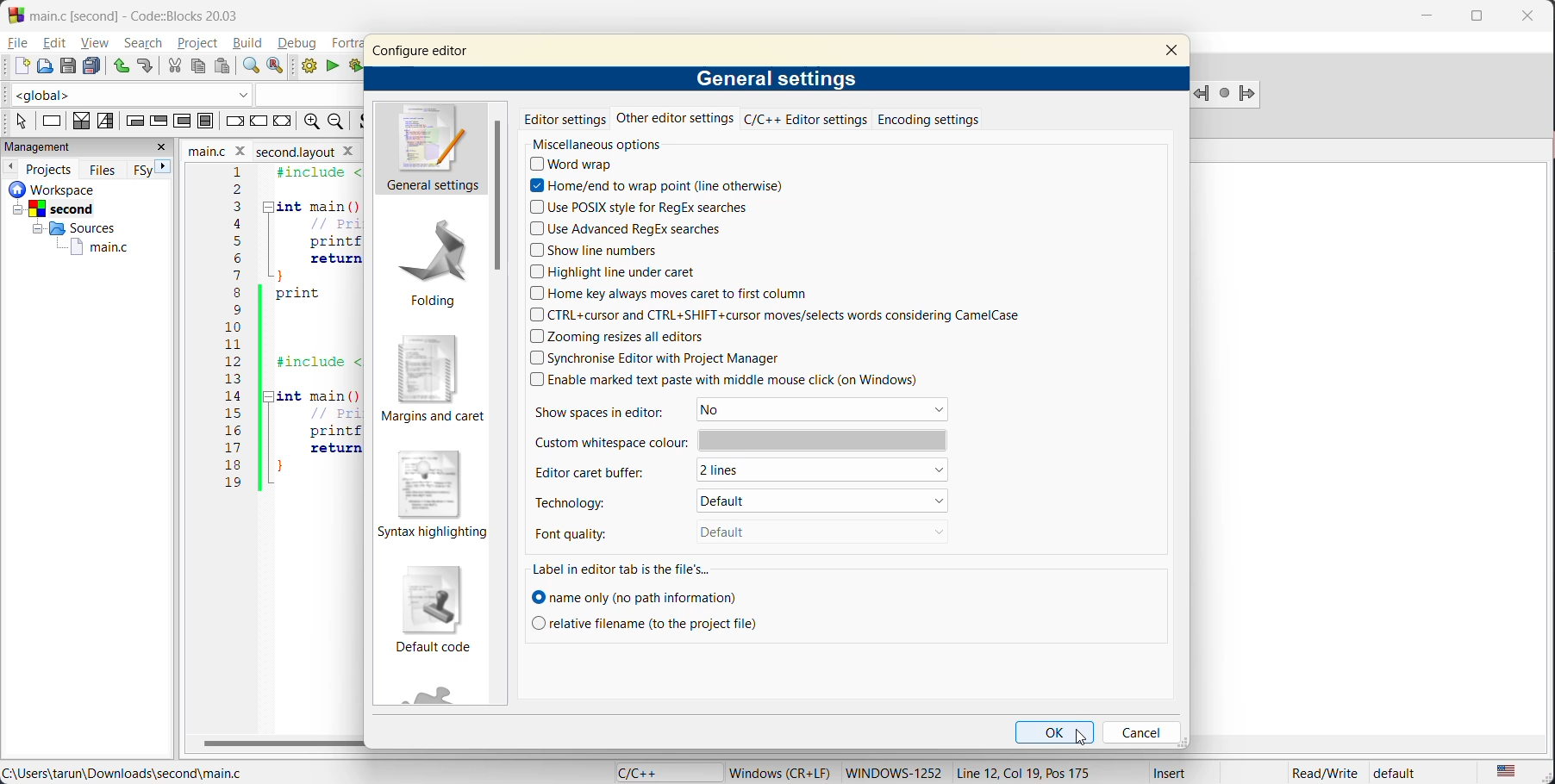  Describe the element at coordinates (330, 66) in the screenshot. I see `run` at that location.